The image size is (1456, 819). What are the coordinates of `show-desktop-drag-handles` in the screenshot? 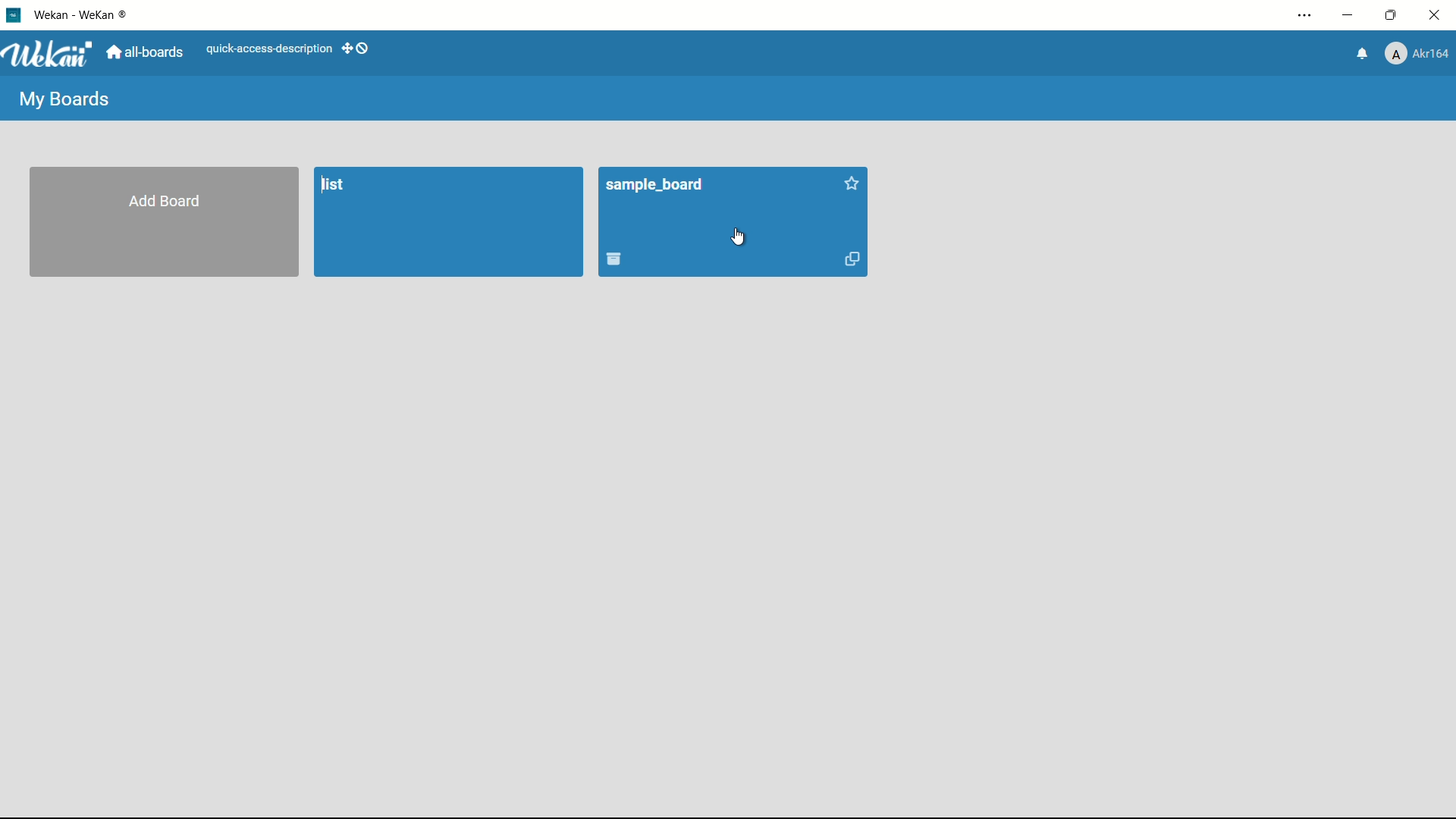 It's located at (357, 50).